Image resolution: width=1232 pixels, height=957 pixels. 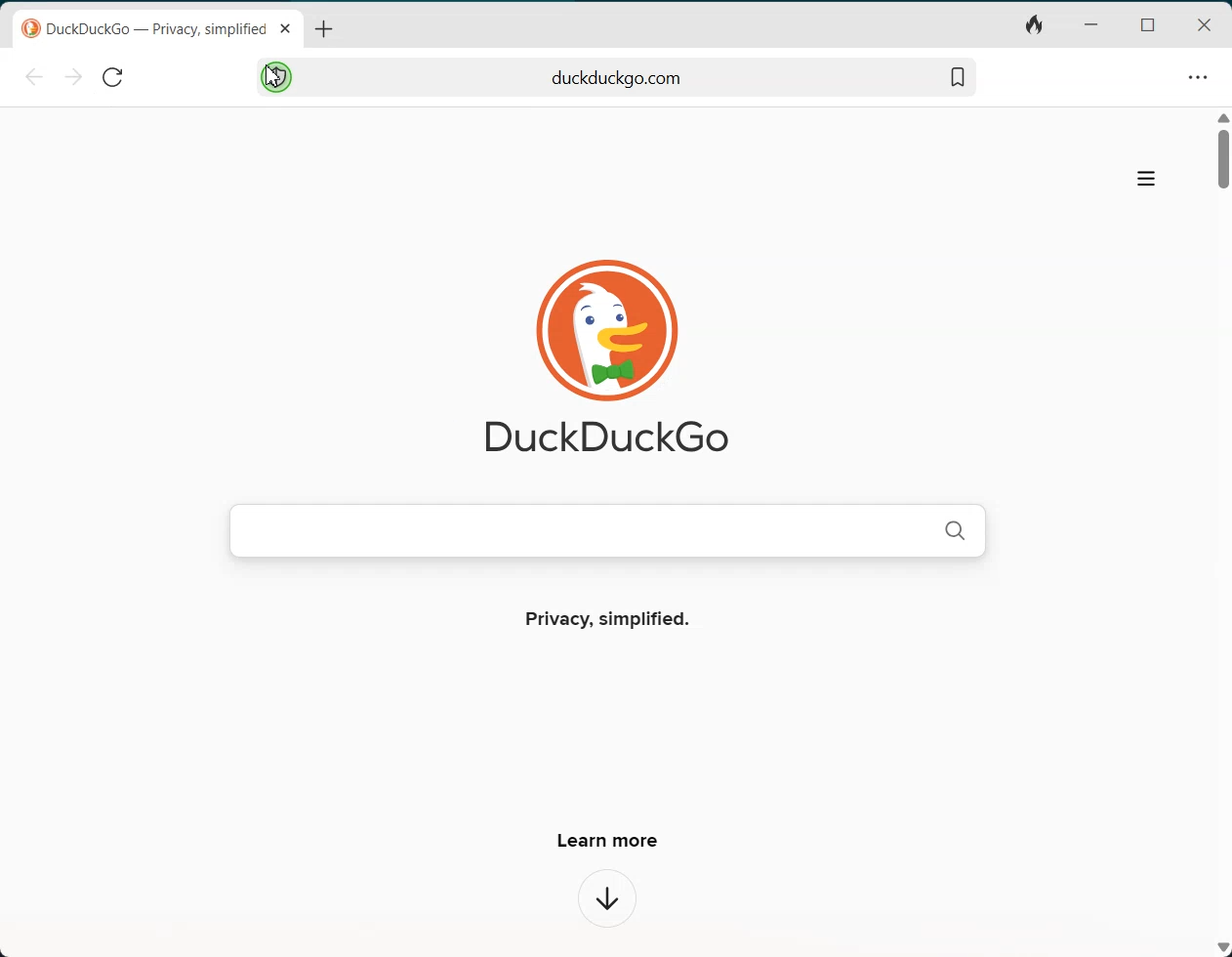 What do you see at coordinates (609, 900) in the screenshot?
I see `Dropdown for learn more` at bounding box center [609, 900].